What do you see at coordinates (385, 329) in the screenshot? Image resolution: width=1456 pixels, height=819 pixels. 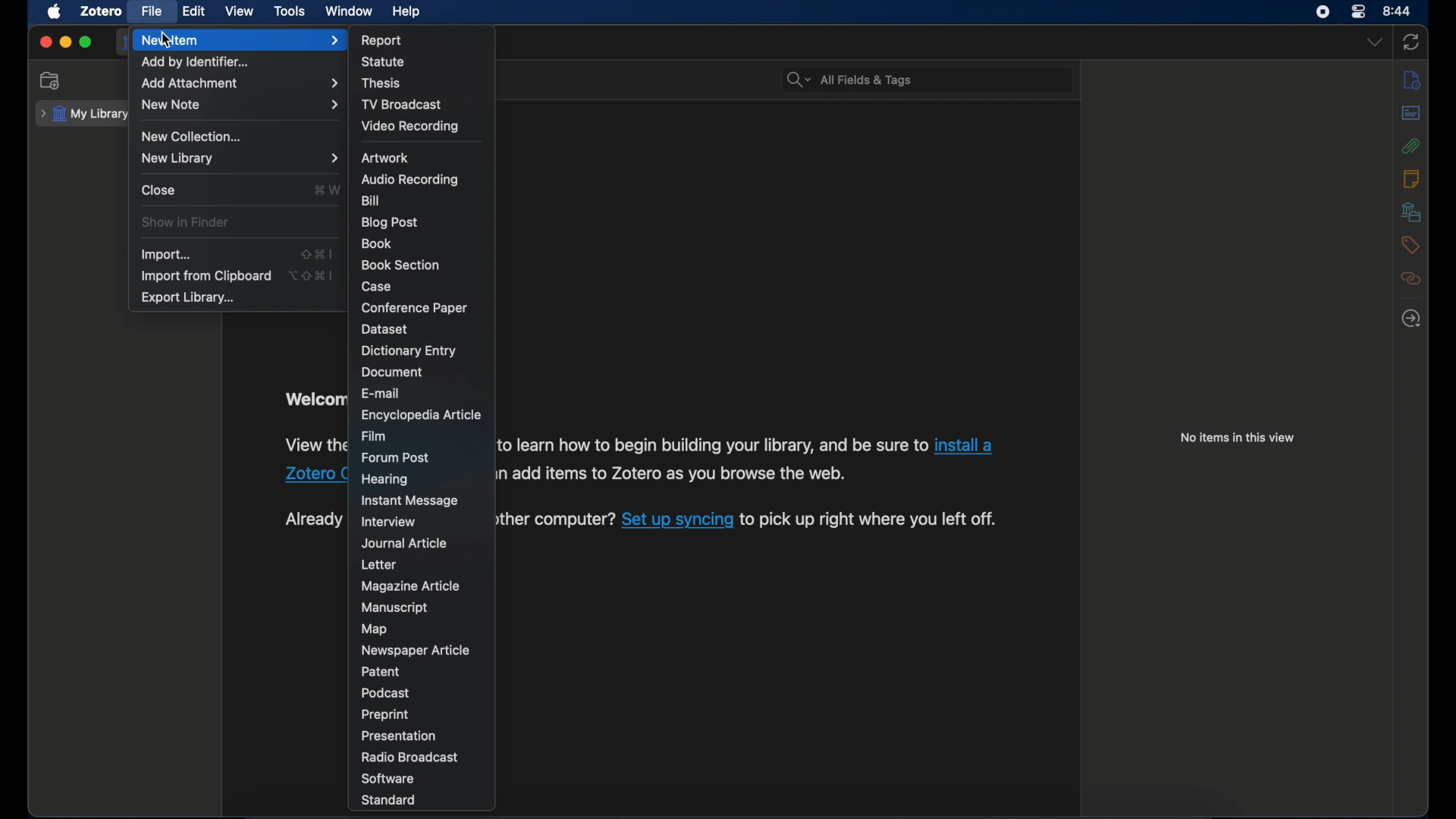 I see `dataset` at bounding box center [385, 329].